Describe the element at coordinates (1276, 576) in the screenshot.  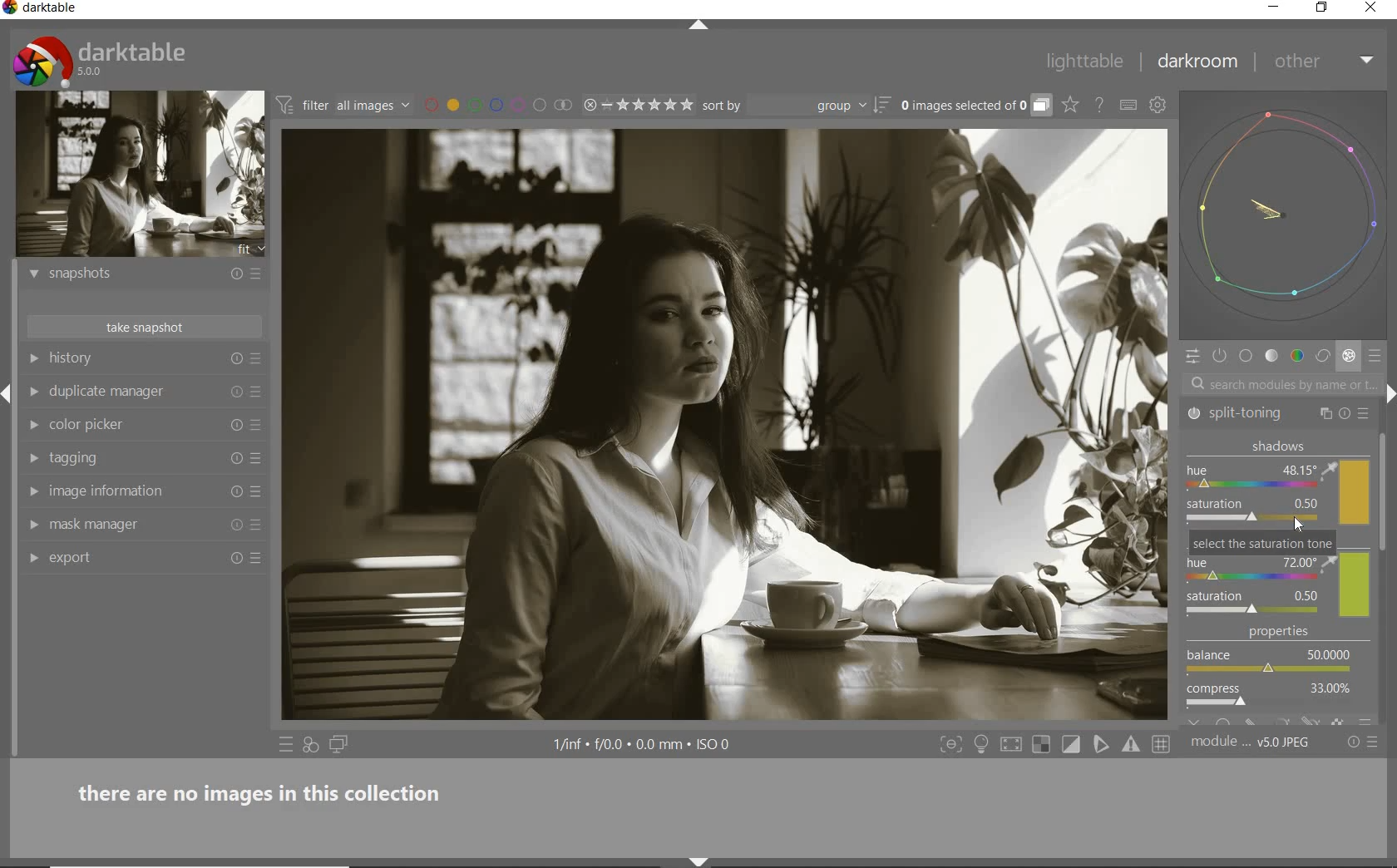
I see `highlights` at that location.